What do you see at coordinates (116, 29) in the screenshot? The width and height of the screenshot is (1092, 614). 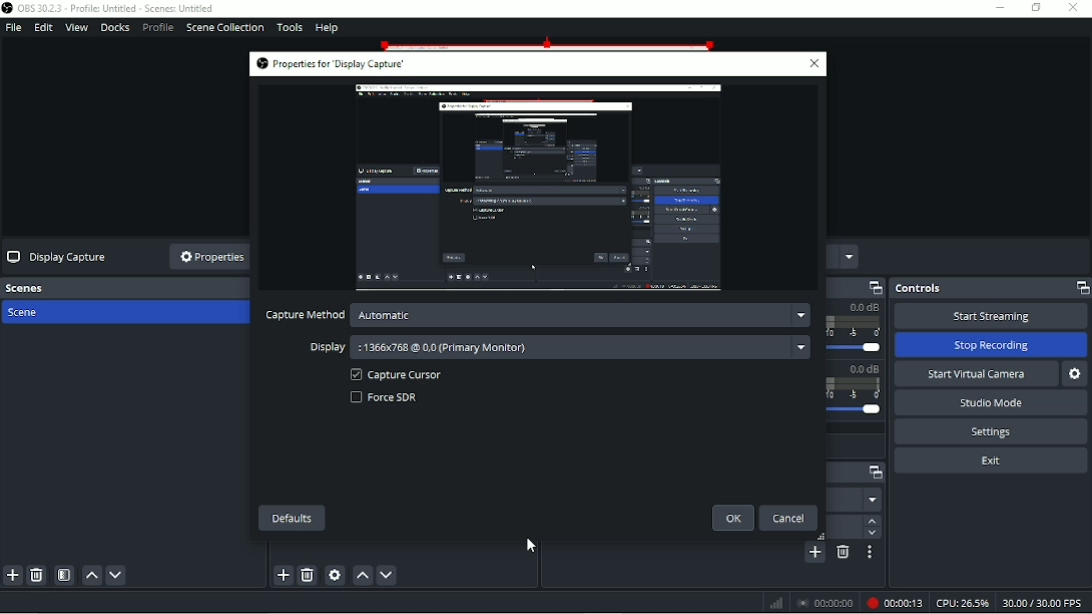 I see `Docks` at bounding box center [116, 29].